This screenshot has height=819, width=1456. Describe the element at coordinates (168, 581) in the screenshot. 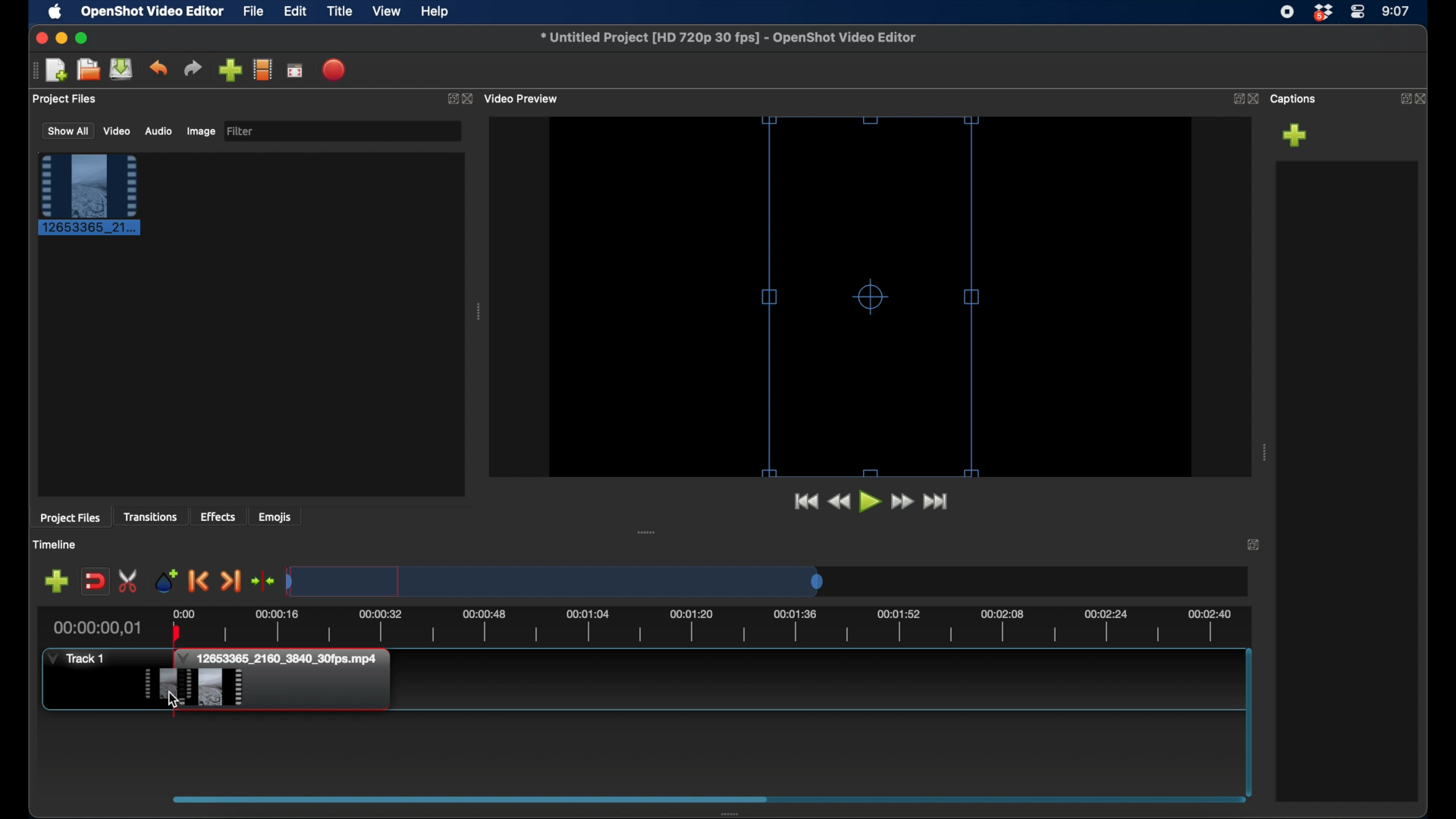

I see `add marker` at that location.